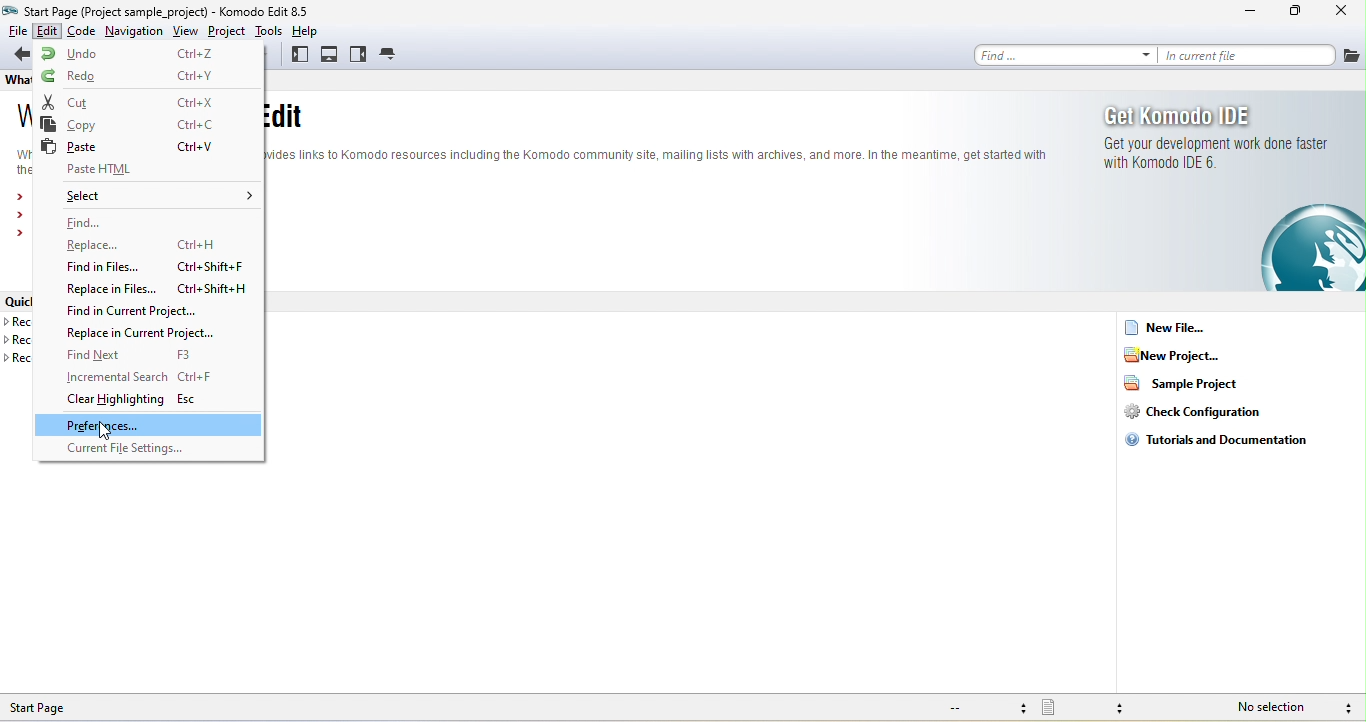 The width and height of the screenshot is (1366, 722). I want to click on code, so click(81, 30).